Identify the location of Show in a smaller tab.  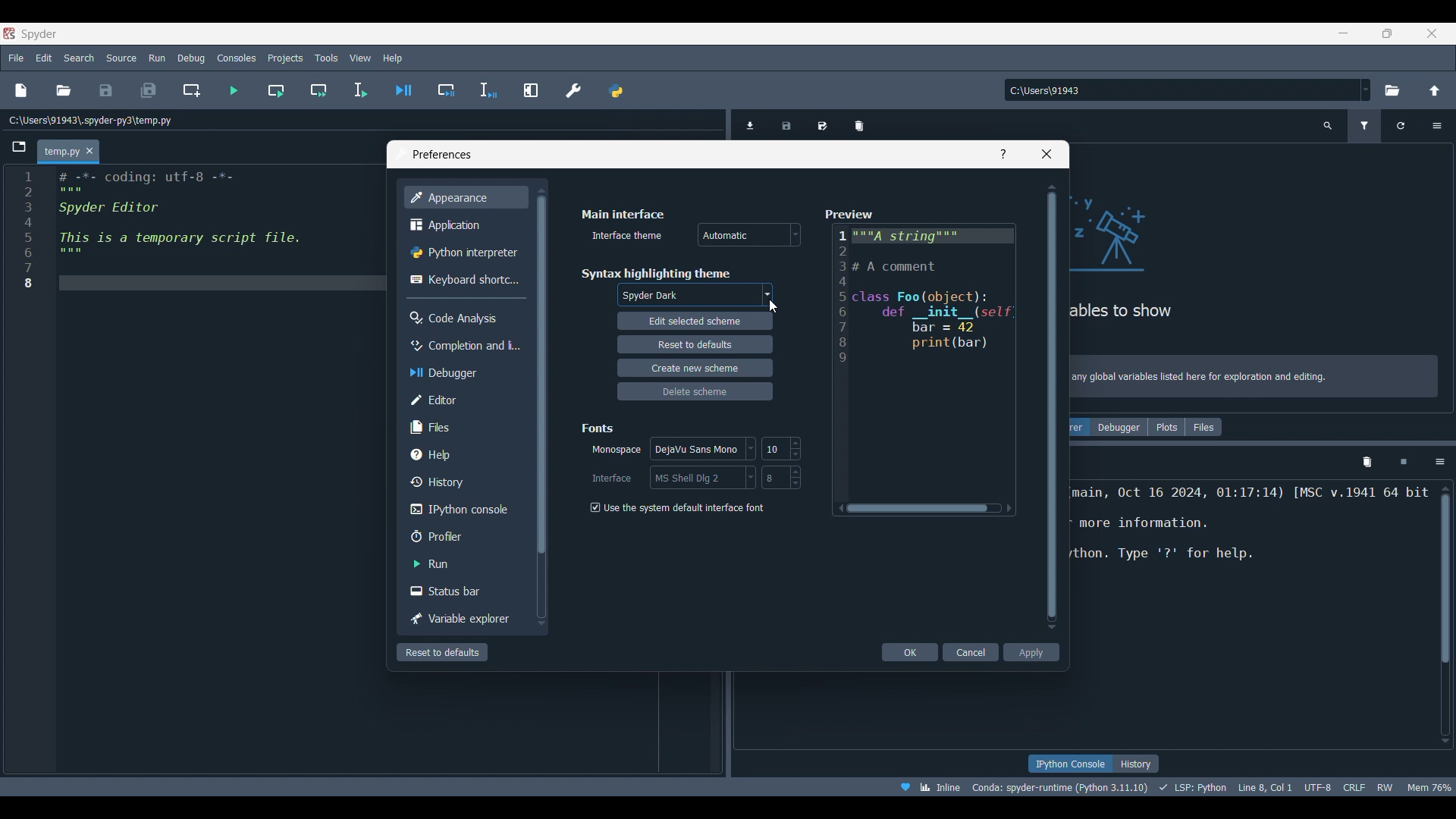
(1387, 33).